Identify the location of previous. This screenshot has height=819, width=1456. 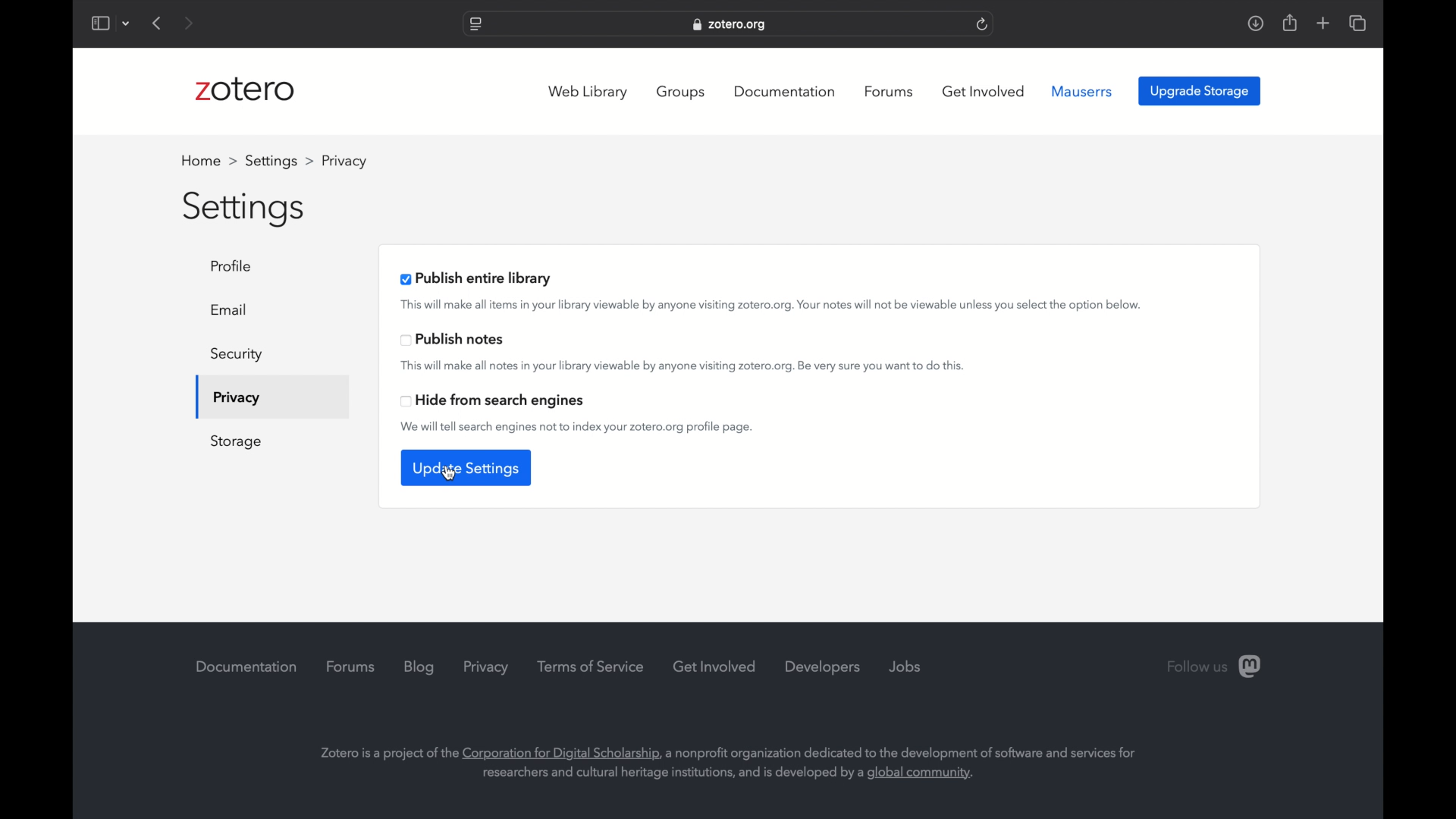
(158, 23).